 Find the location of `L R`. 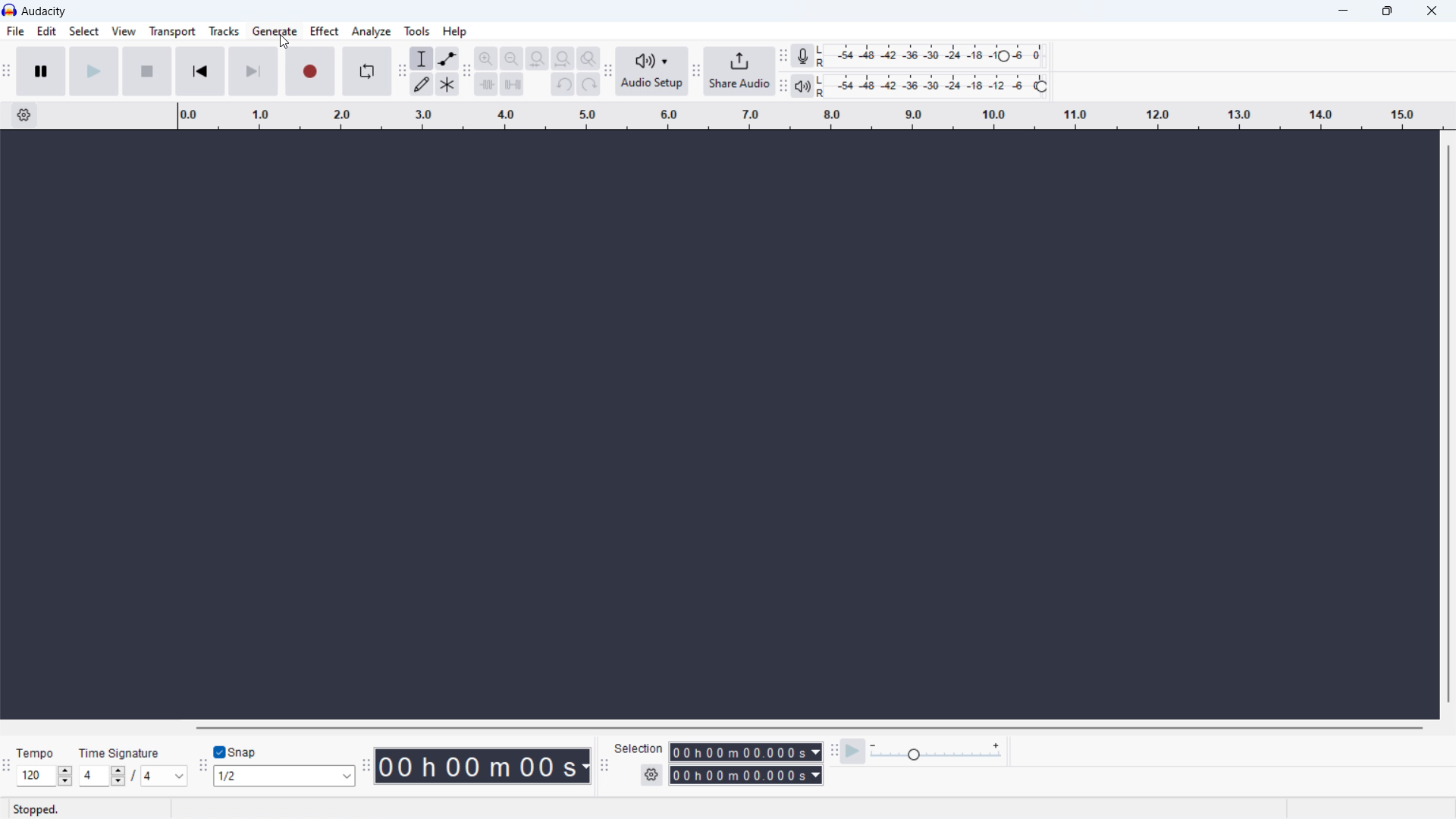

L R is located at coordinates (823, 71).